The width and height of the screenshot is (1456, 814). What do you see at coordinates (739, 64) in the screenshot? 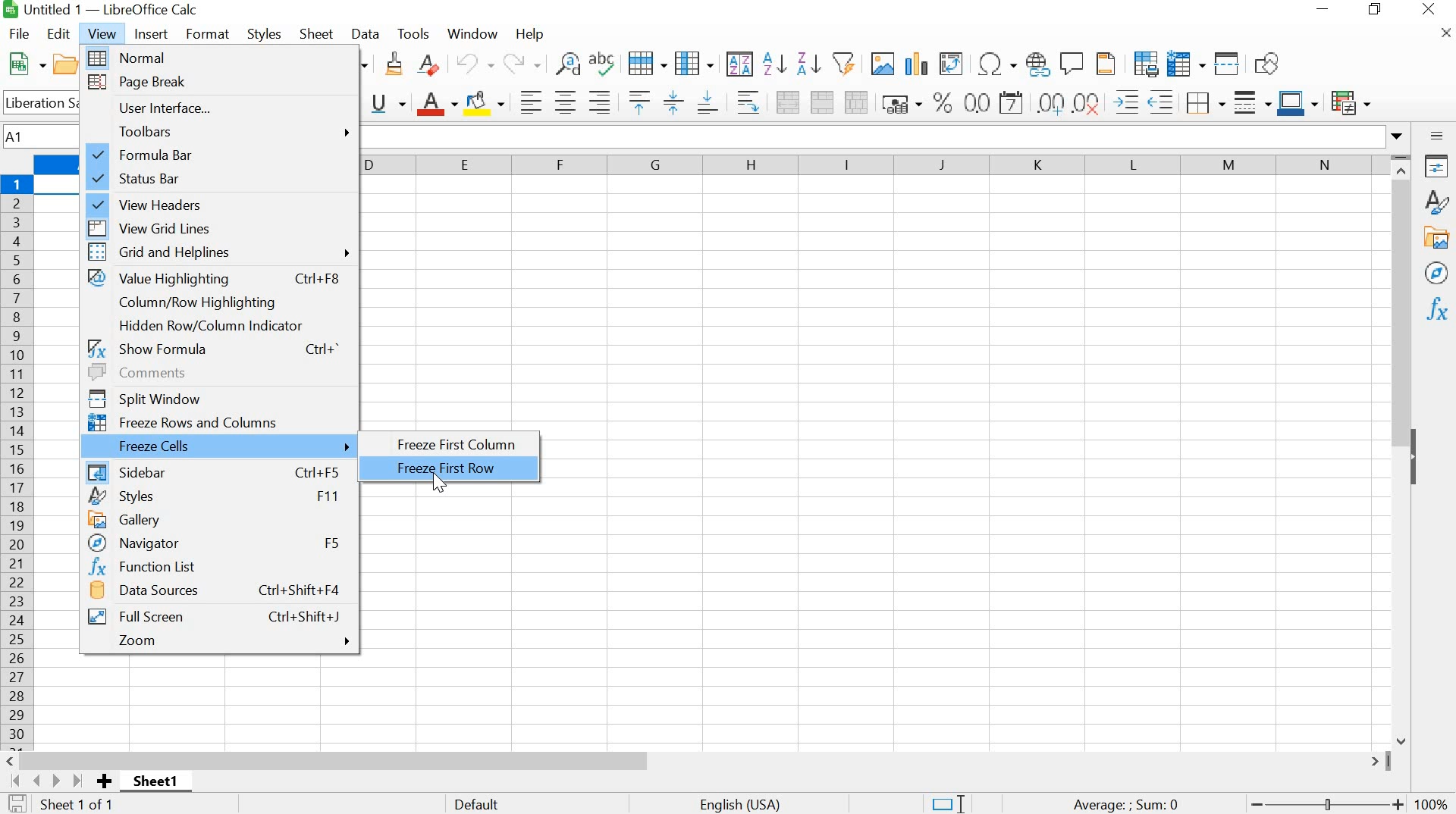
I see `SORT` at bounding box center [739, 64].